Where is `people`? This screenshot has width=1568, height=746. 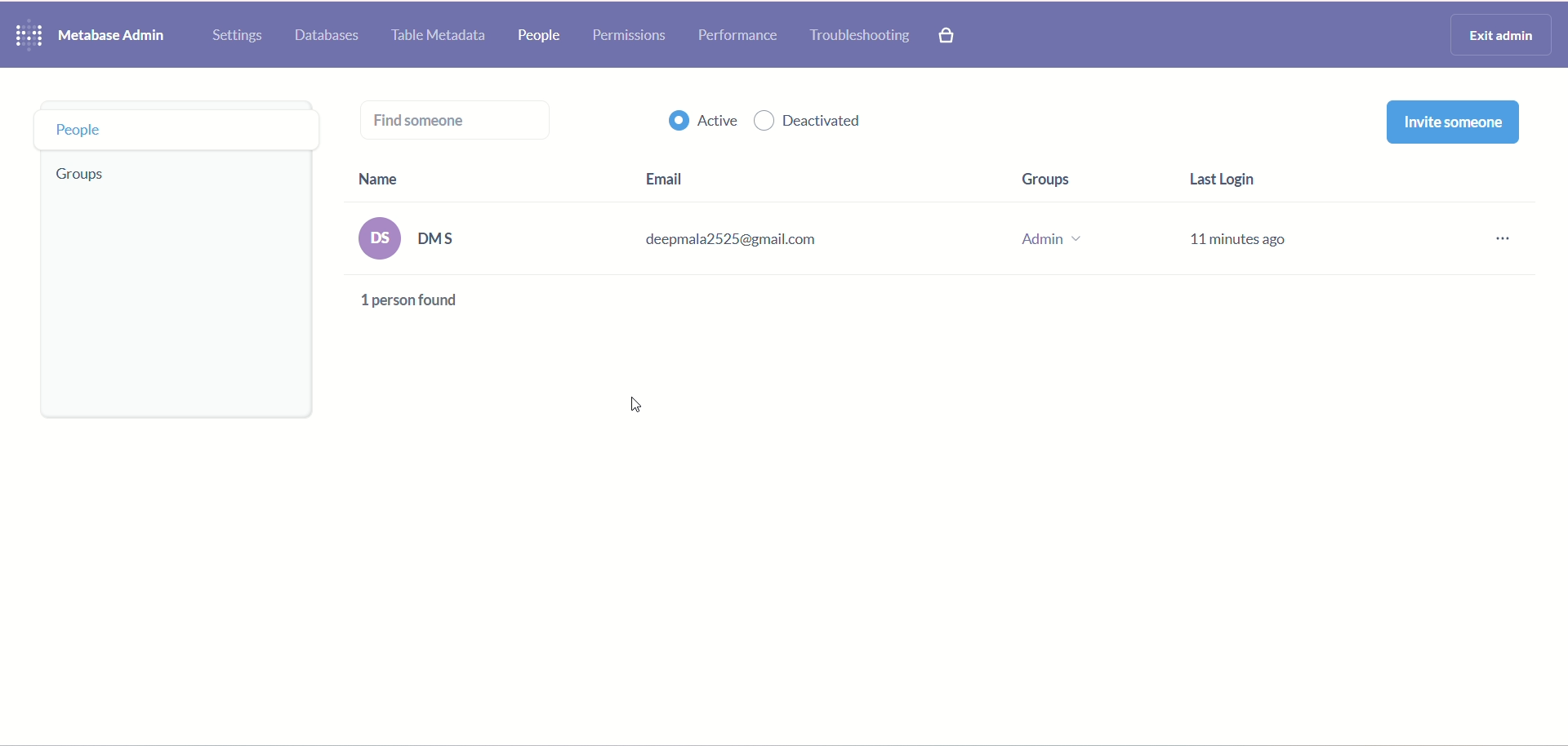
people is located at coordinates (536, 38).